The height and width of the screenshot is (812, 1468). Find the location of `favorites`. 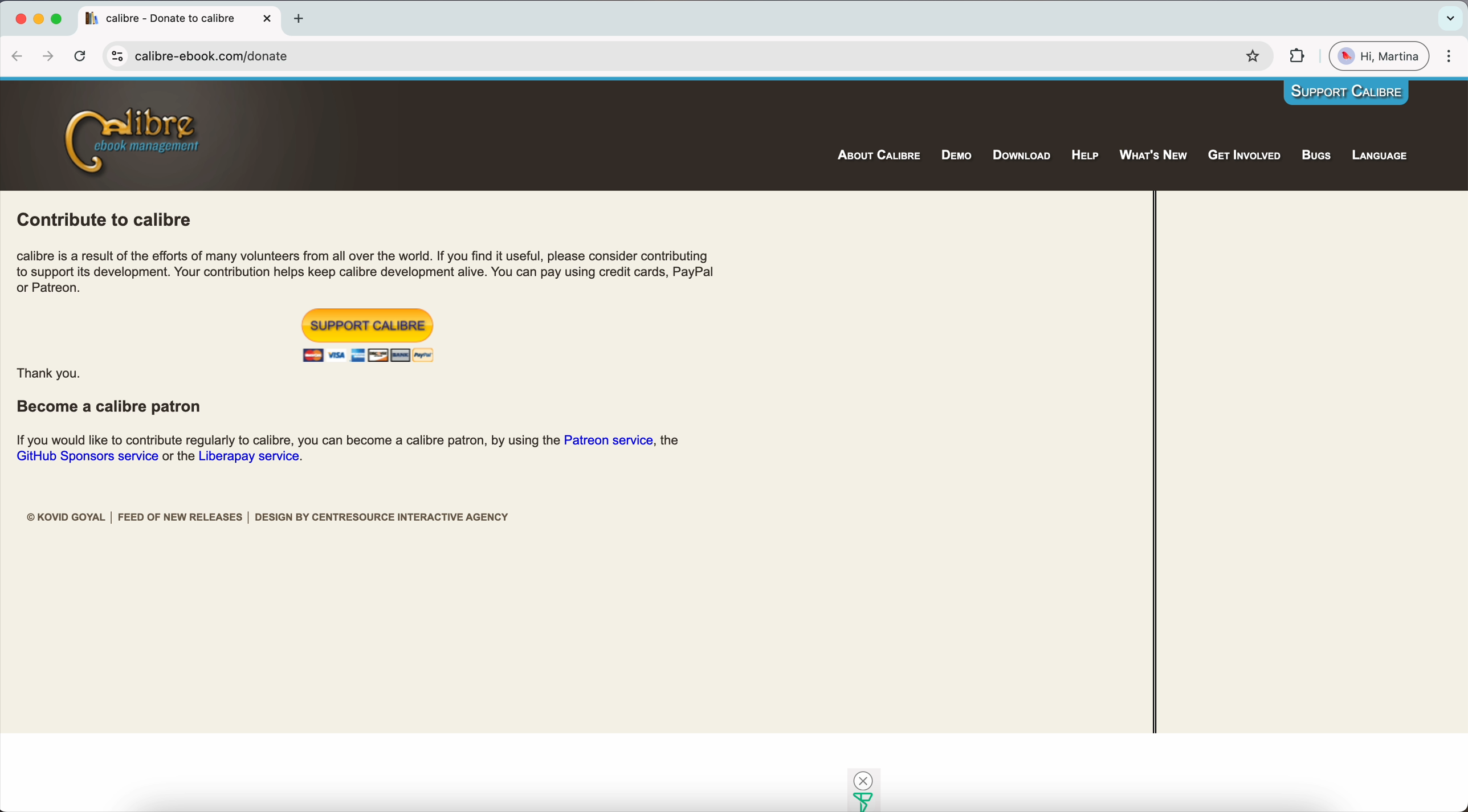

favorites is located at coordinates (1251, 56).